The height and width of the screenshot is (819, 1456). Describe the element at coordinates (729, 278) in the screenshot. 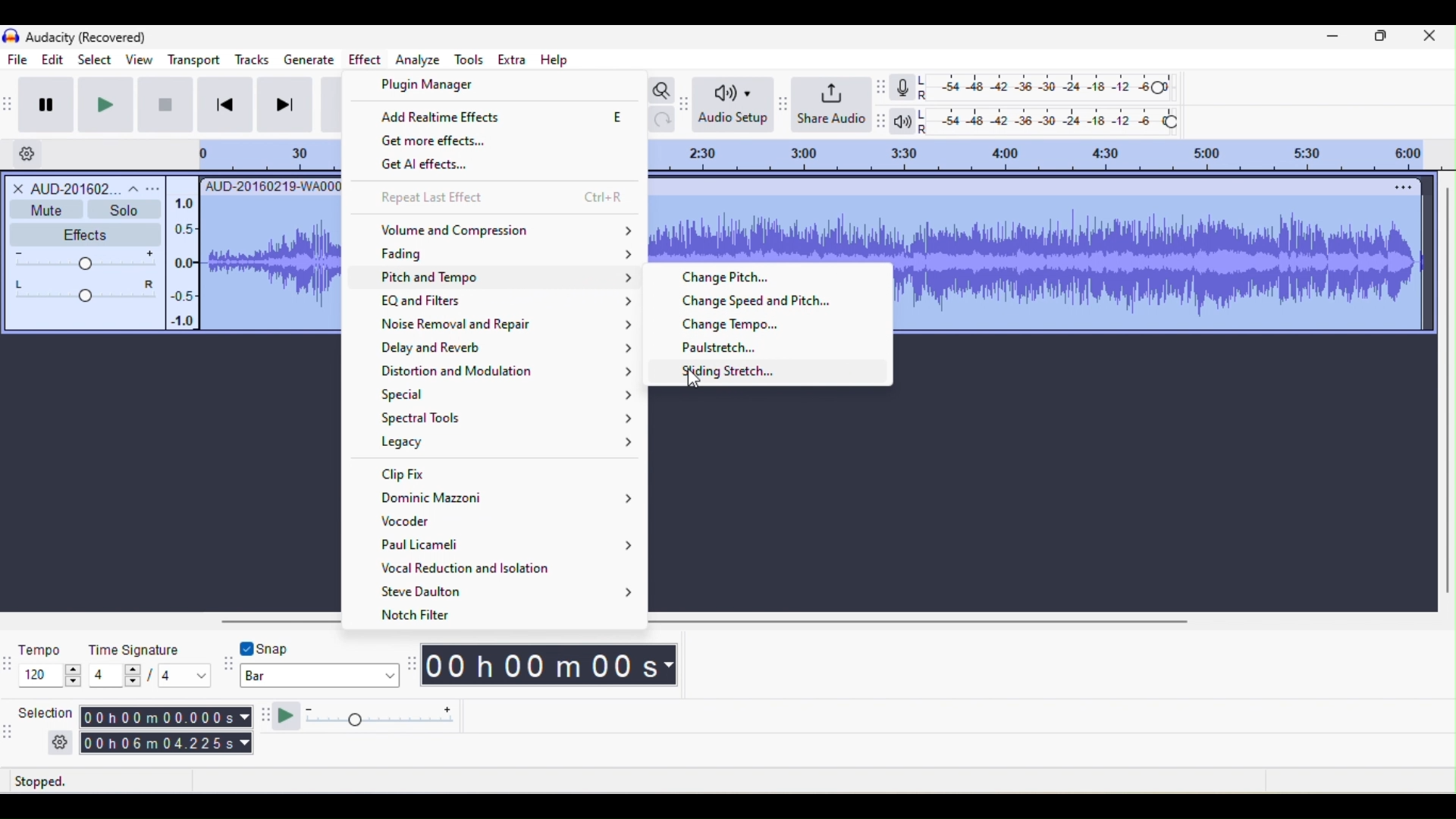

I see `change pitch` at that location.